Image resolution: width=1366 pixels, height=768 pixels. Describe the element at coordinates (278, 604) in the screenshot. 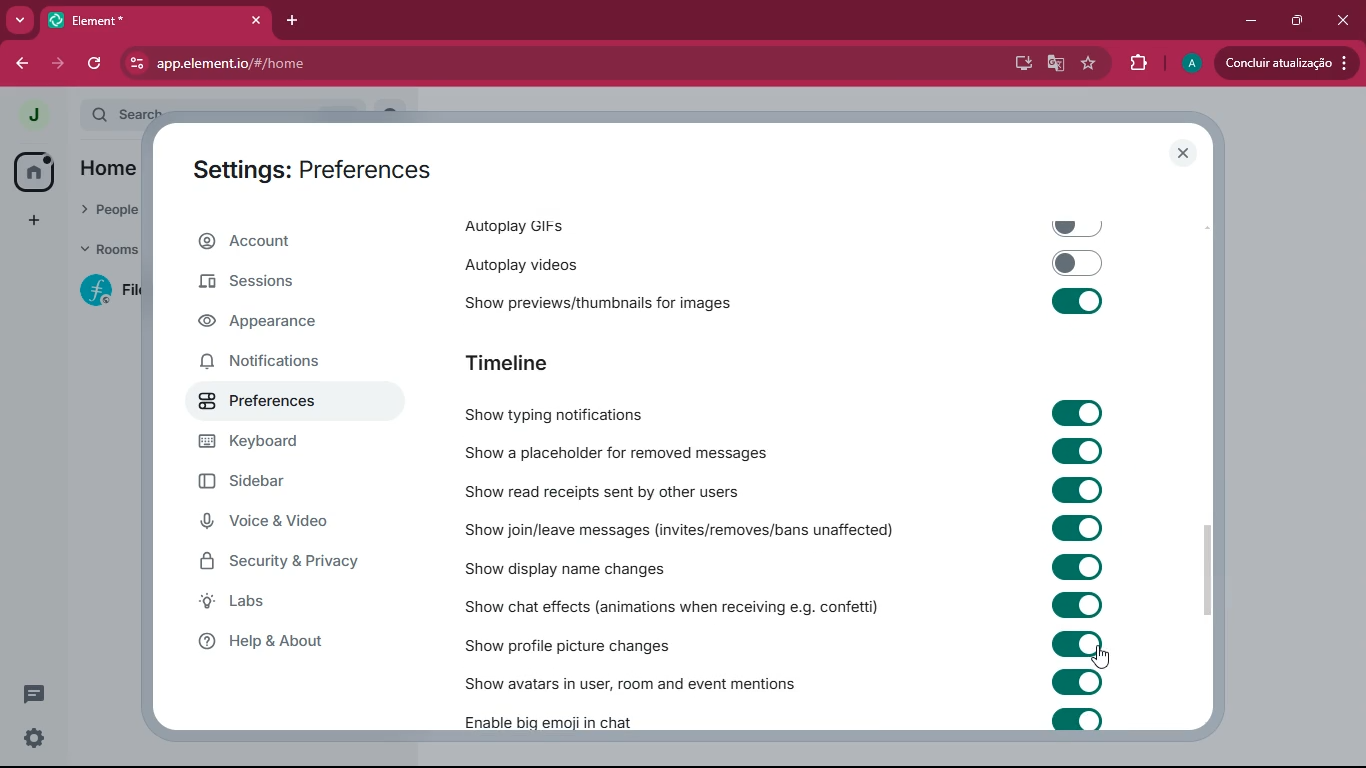

I see `labs` at that location.